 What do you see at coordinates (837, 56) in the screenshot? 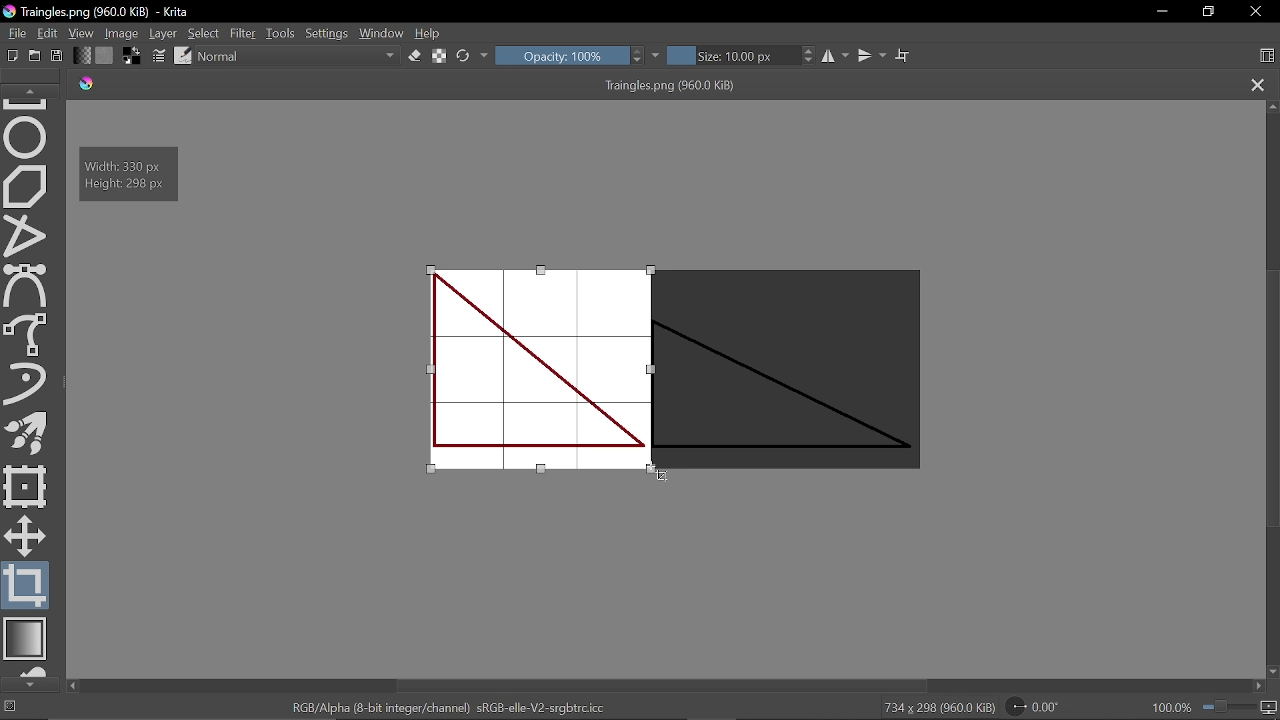
I see `Horizontal mirror tool` at bounding box center [837, 56].